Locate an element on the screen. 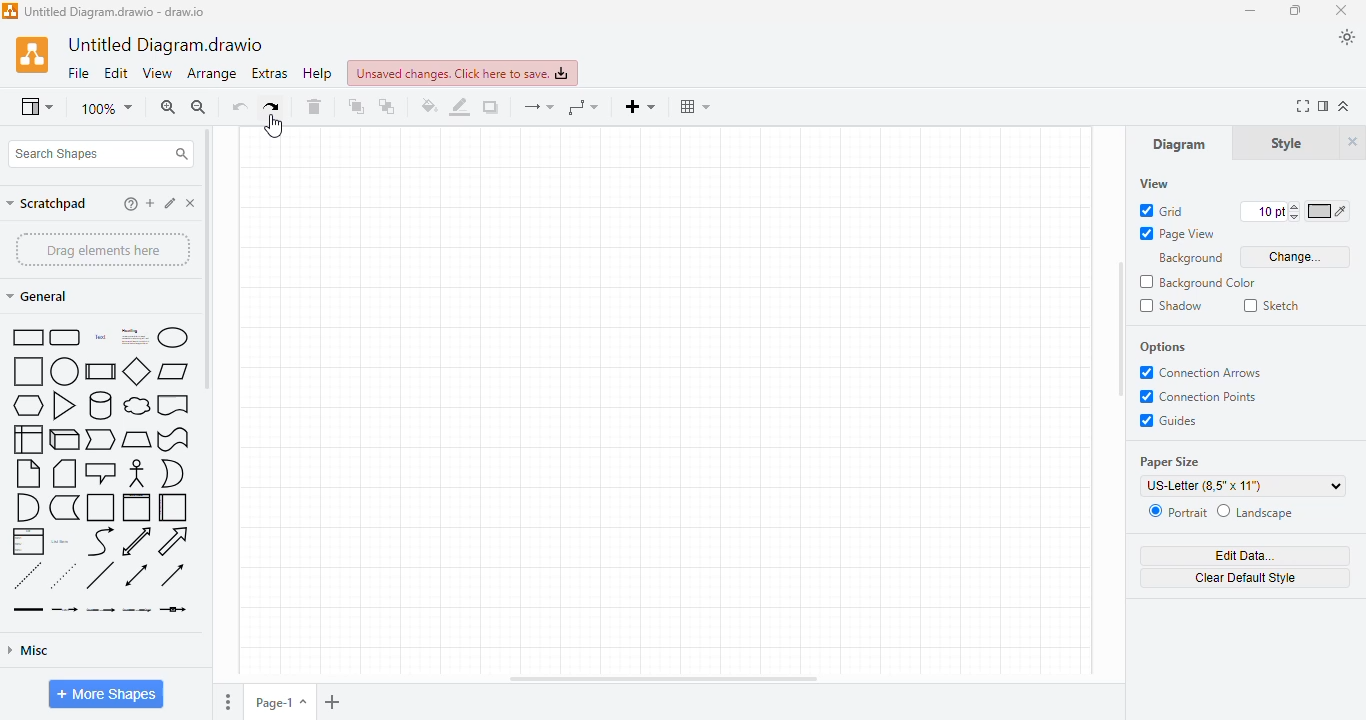 The image size is (1366, 720). edit is located at coordinates (117, 74).